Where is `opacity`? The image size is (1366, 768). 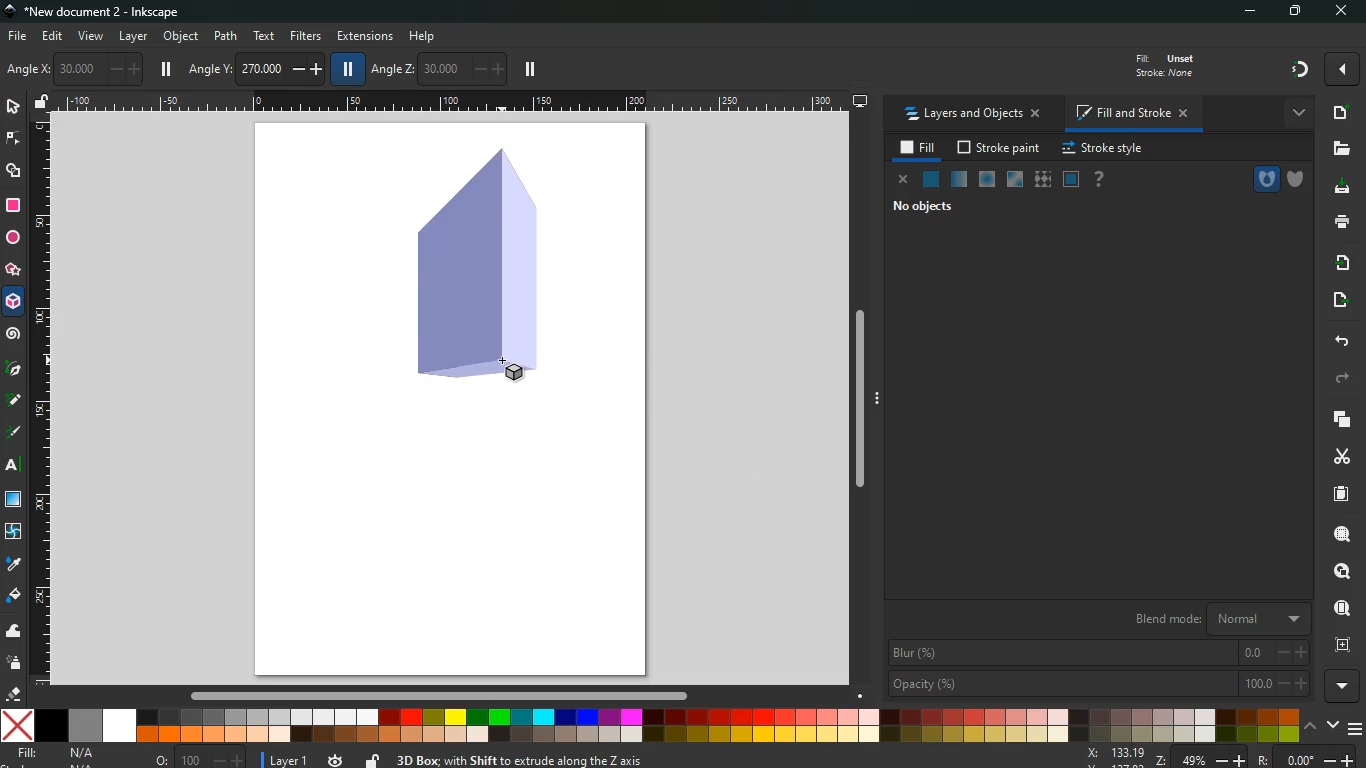
opacity is located at coordinates (959, 180).